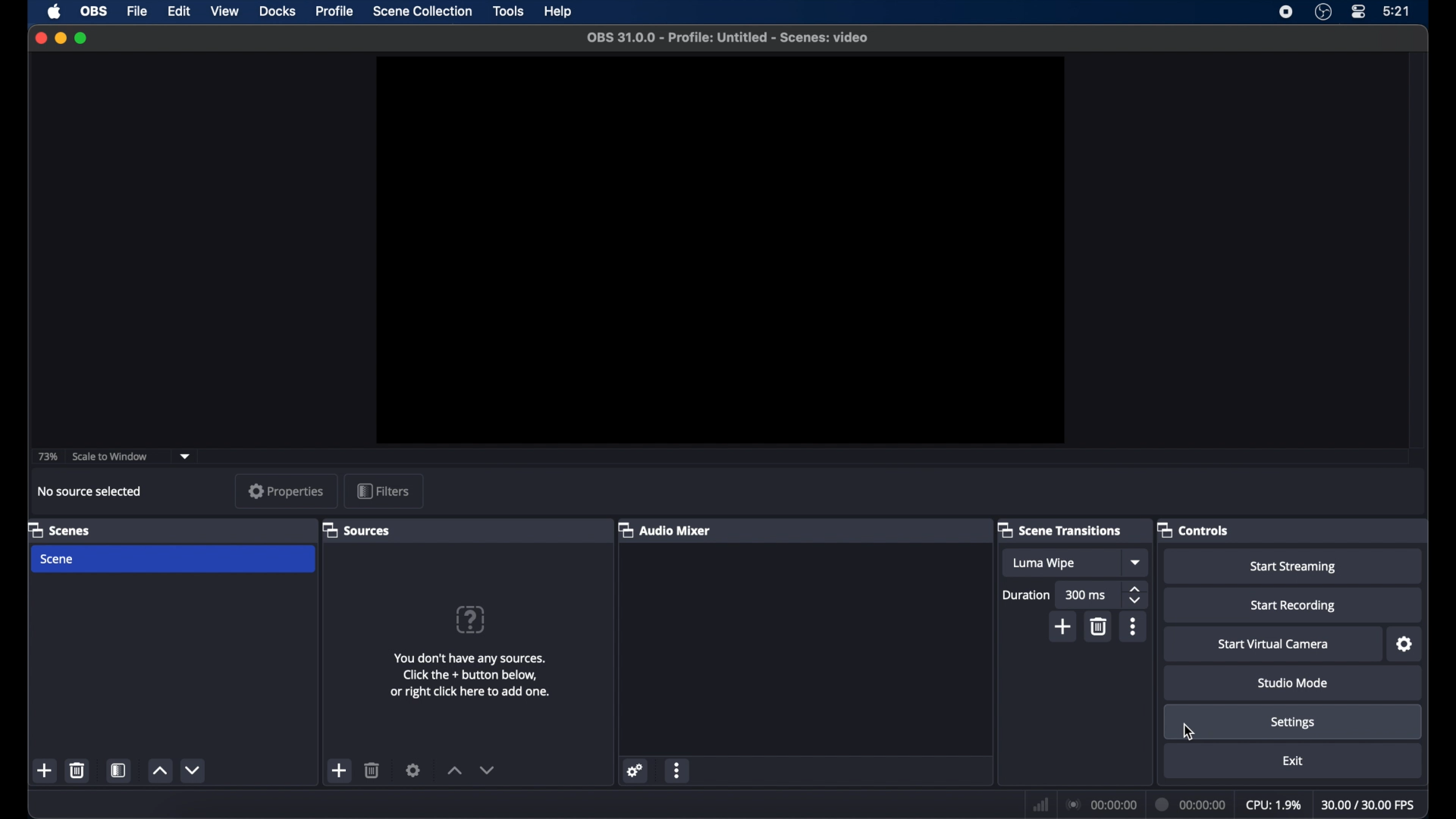  What do you see at coordinates (1043, 563) in the screenshot?
I see `luma wipe` at bounding box center [1043, 563].